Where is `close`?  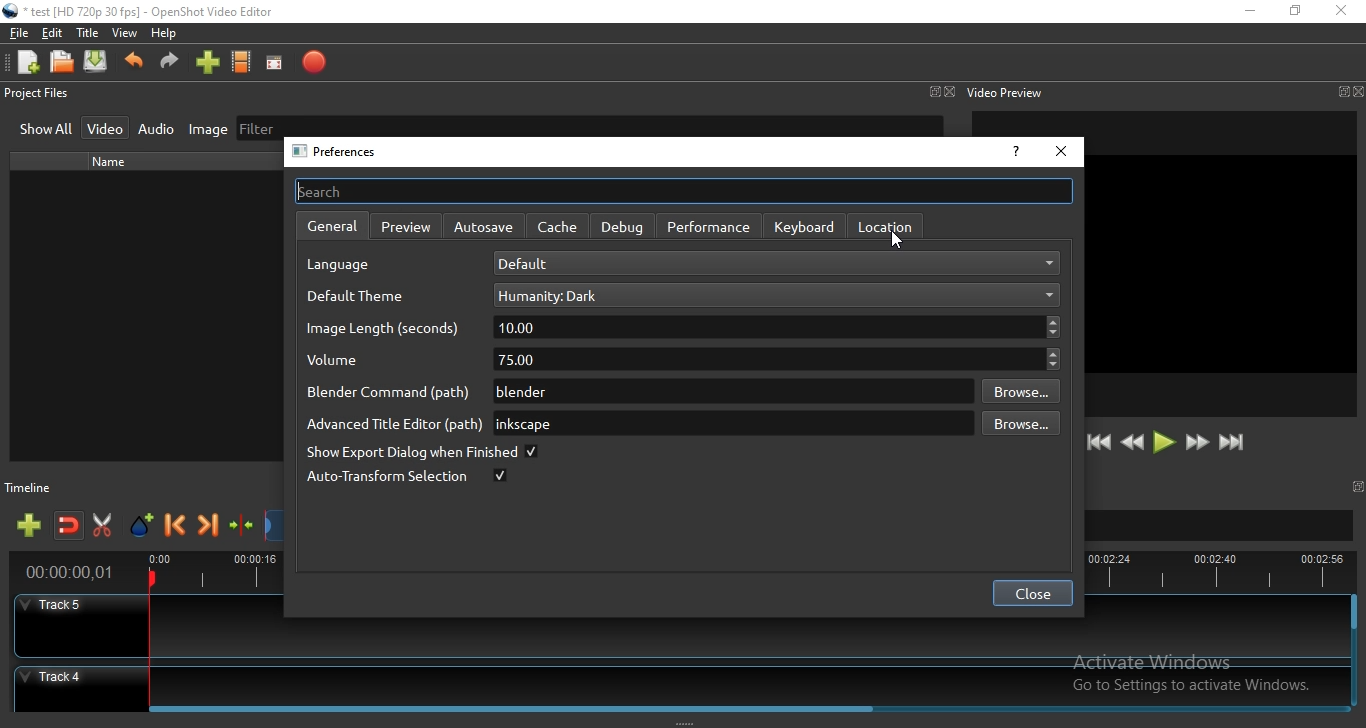
close is located at coordinates (1357, 91).